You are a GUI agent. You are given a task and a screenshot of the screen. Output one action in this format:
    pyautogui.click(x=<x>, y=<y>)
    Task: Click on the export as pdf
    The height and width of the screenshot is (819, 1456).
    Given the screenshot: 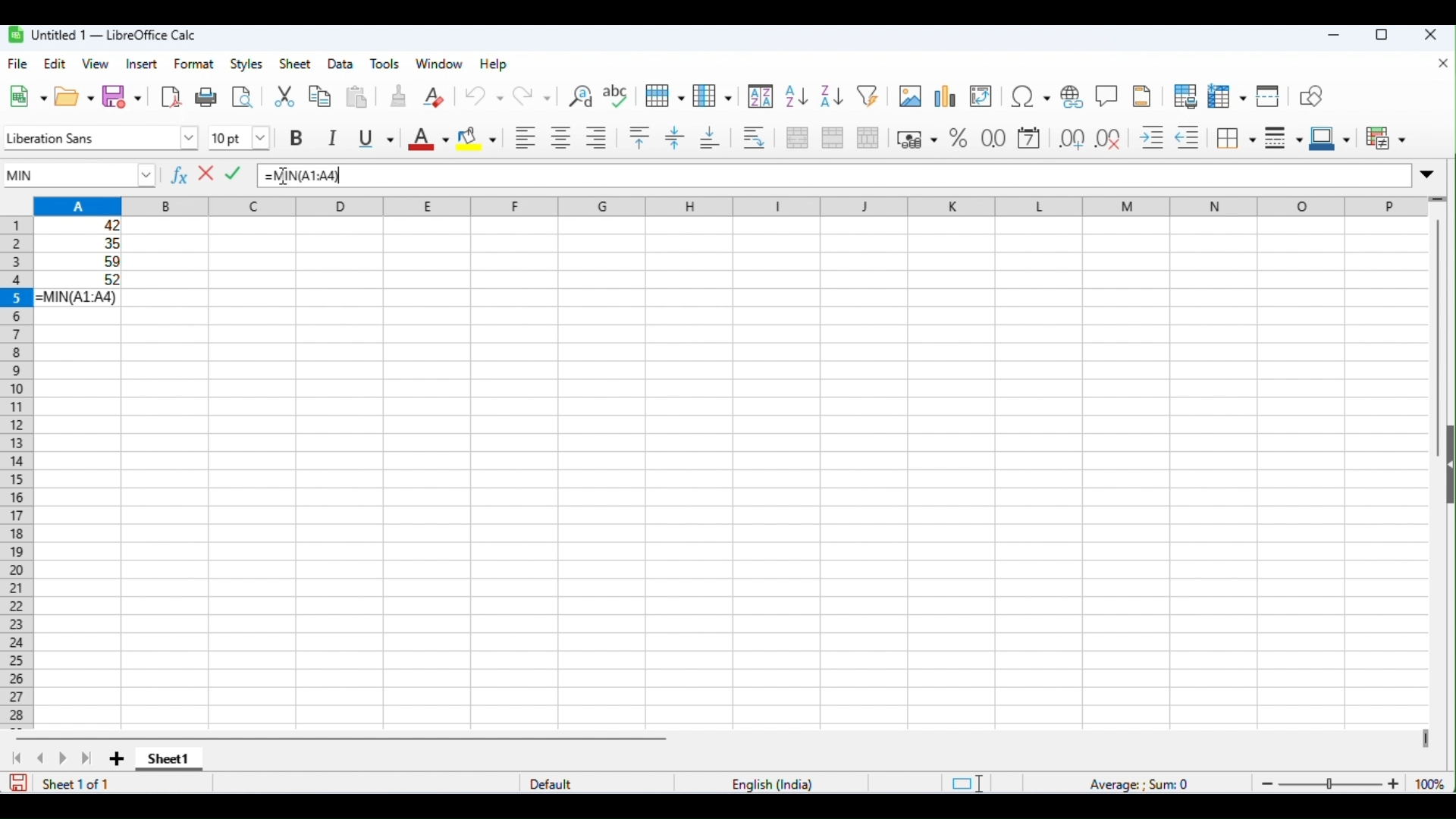 What is the action you would take?
    pyautogui.click(x=171, y=97)
    